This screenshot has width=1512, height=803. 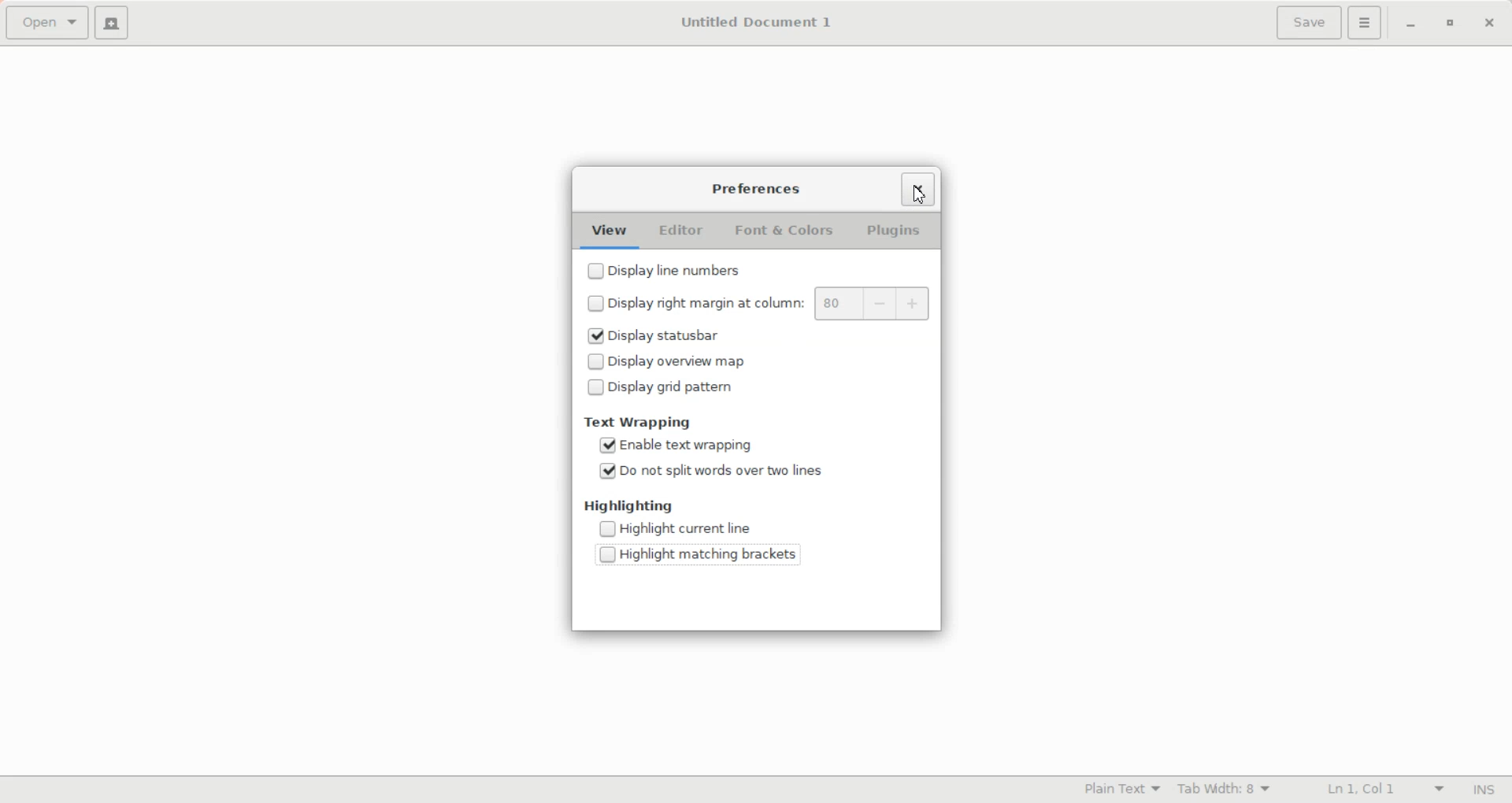 I want to click on Close, so click(x=1489, y=24).